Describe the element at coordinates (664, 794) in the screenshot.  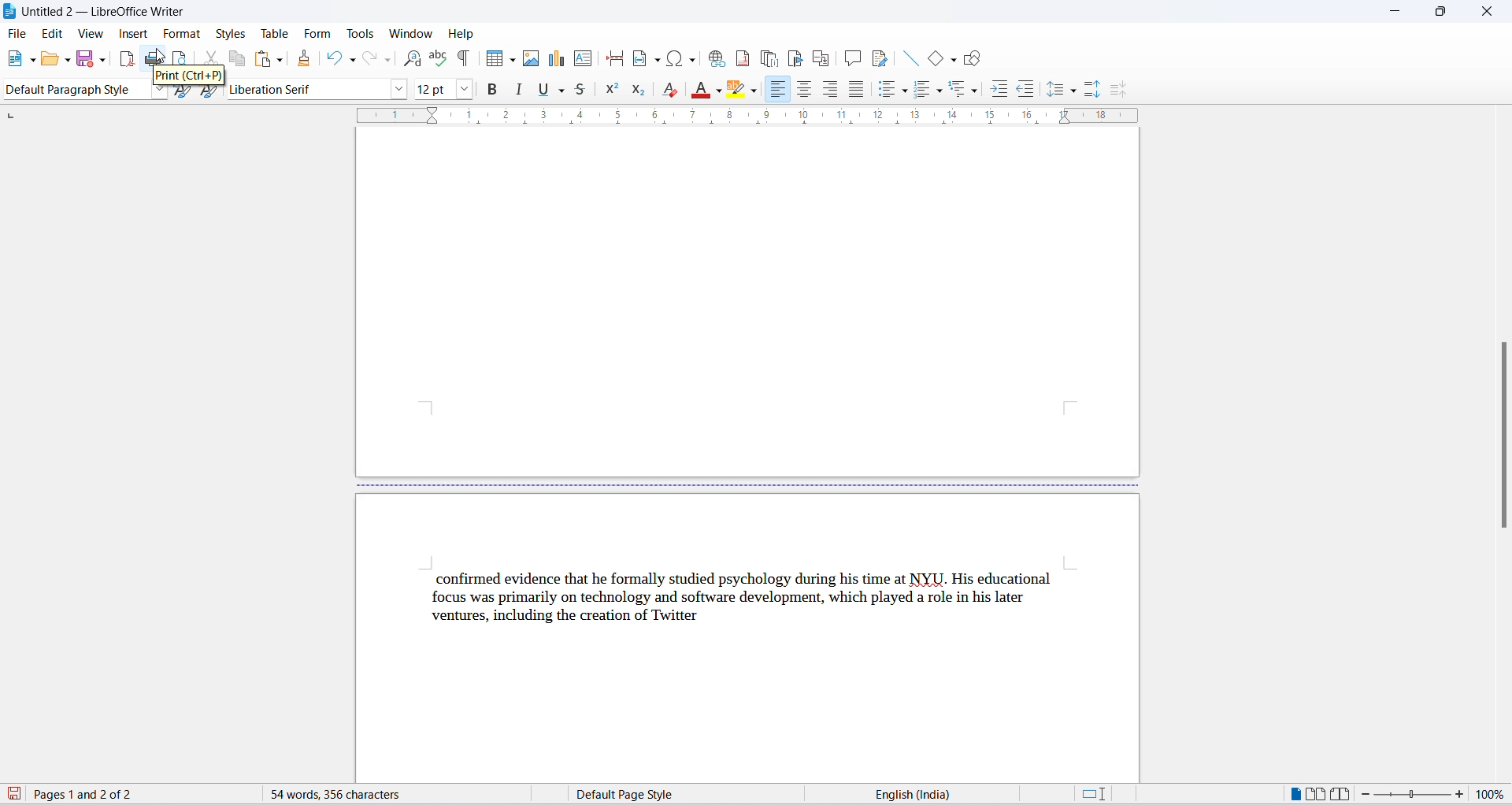
I see `Default Page Style` at that location.